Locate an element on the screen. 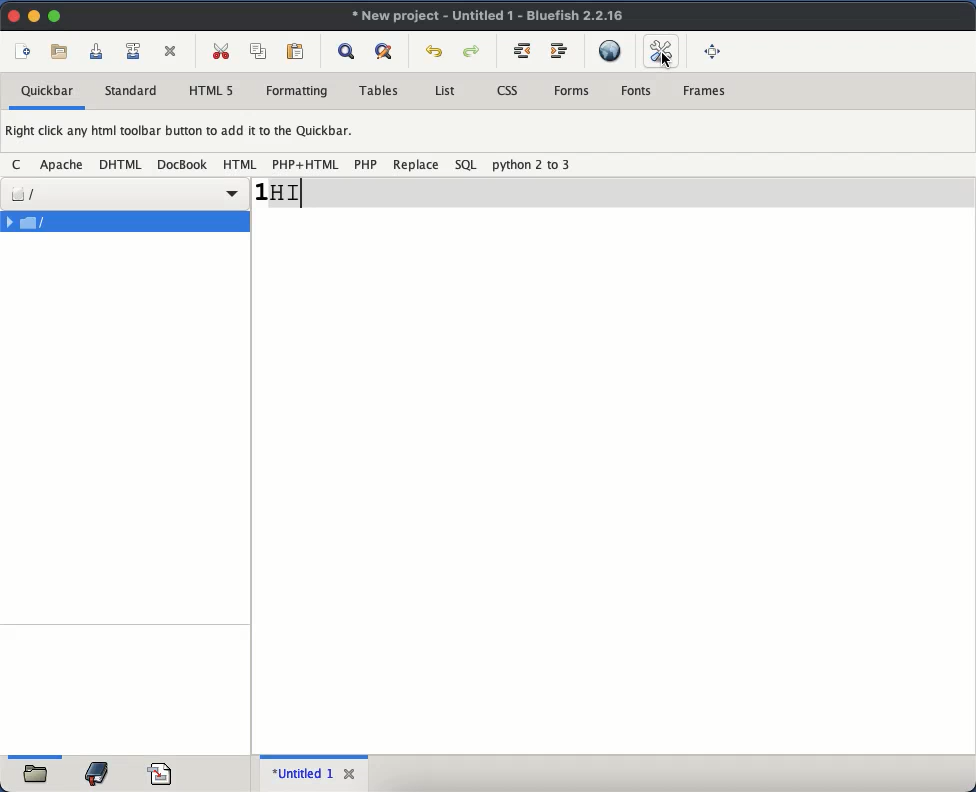  quickbar is located at coordinates (48, 91).